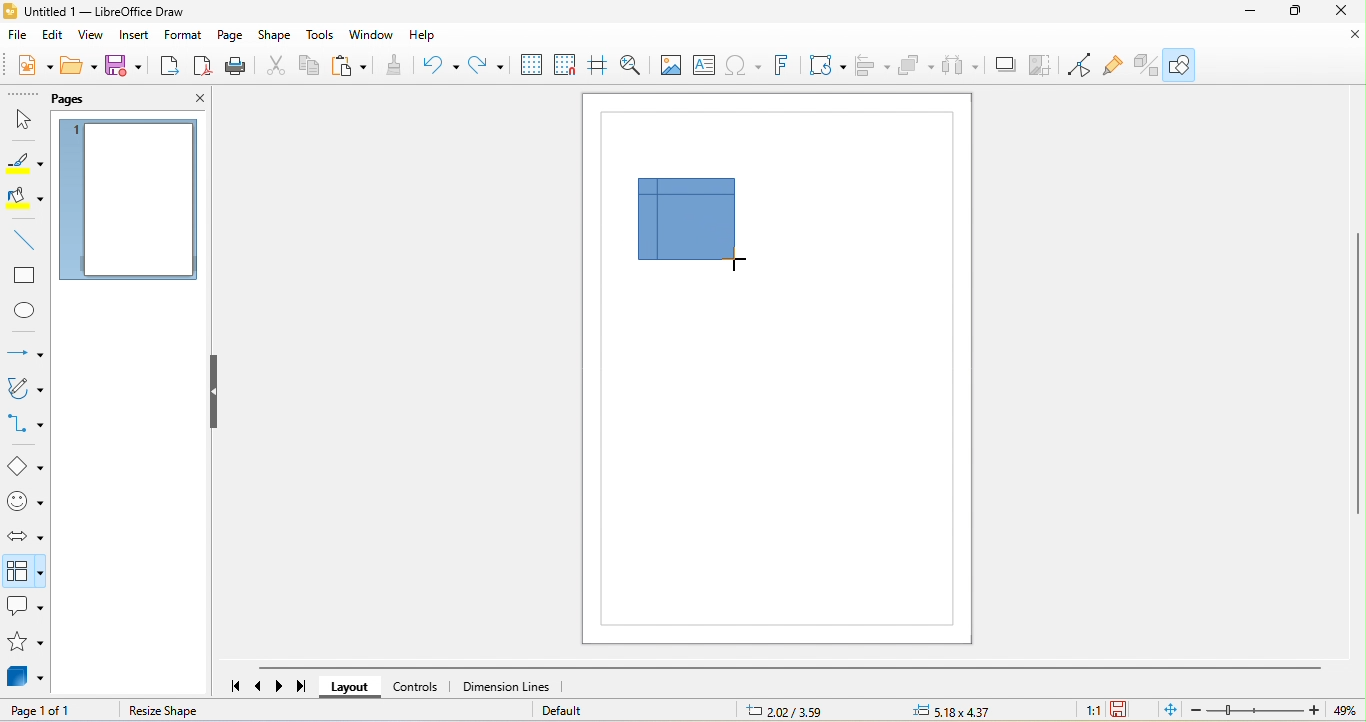 This screenshot has width=1366, height=722. I want to click on rectangle, so click(25, 275).